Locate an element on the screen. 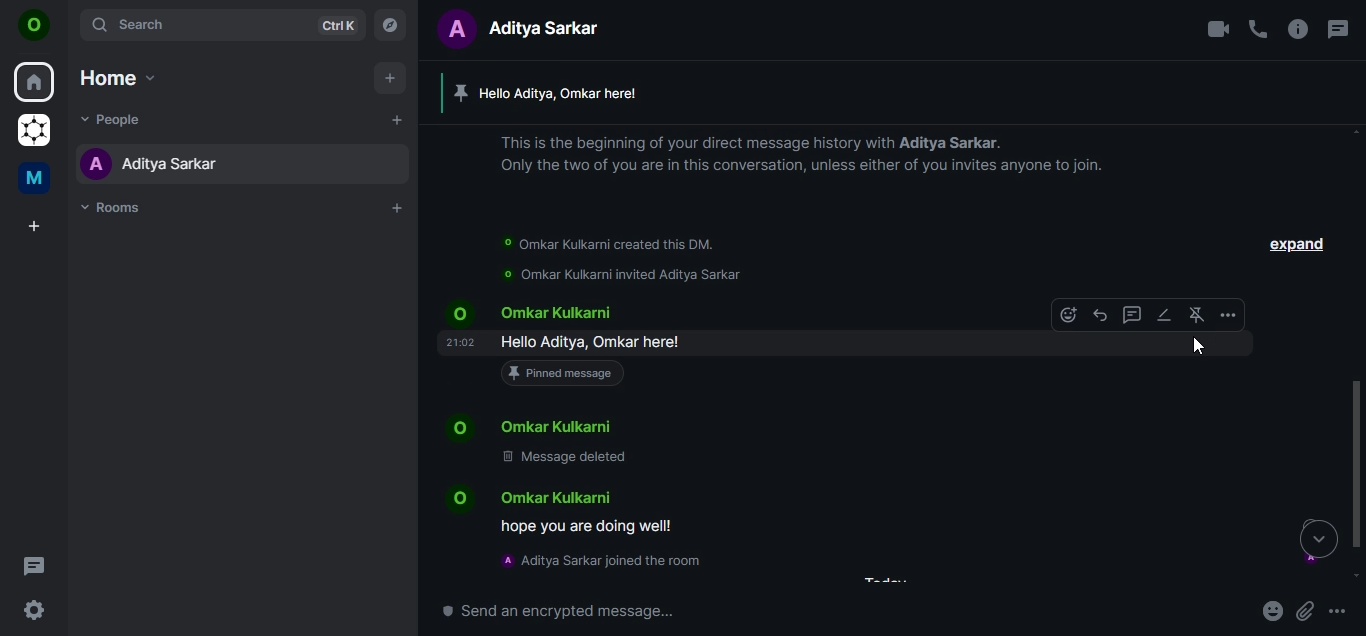  threads is located at coordinates (1339, 30).